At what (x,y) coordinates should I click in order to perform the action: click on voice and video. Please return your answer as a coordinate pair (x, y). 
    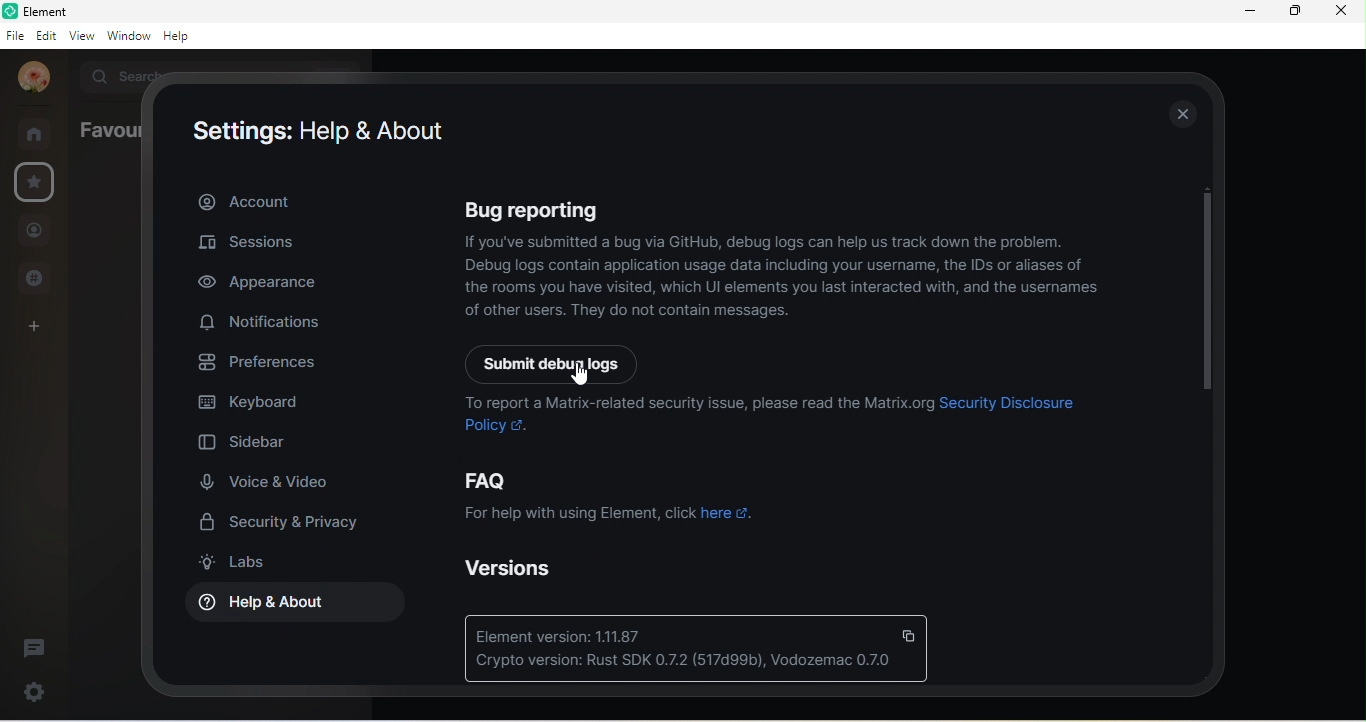
    Looking at the image, I should click on (282, 484).